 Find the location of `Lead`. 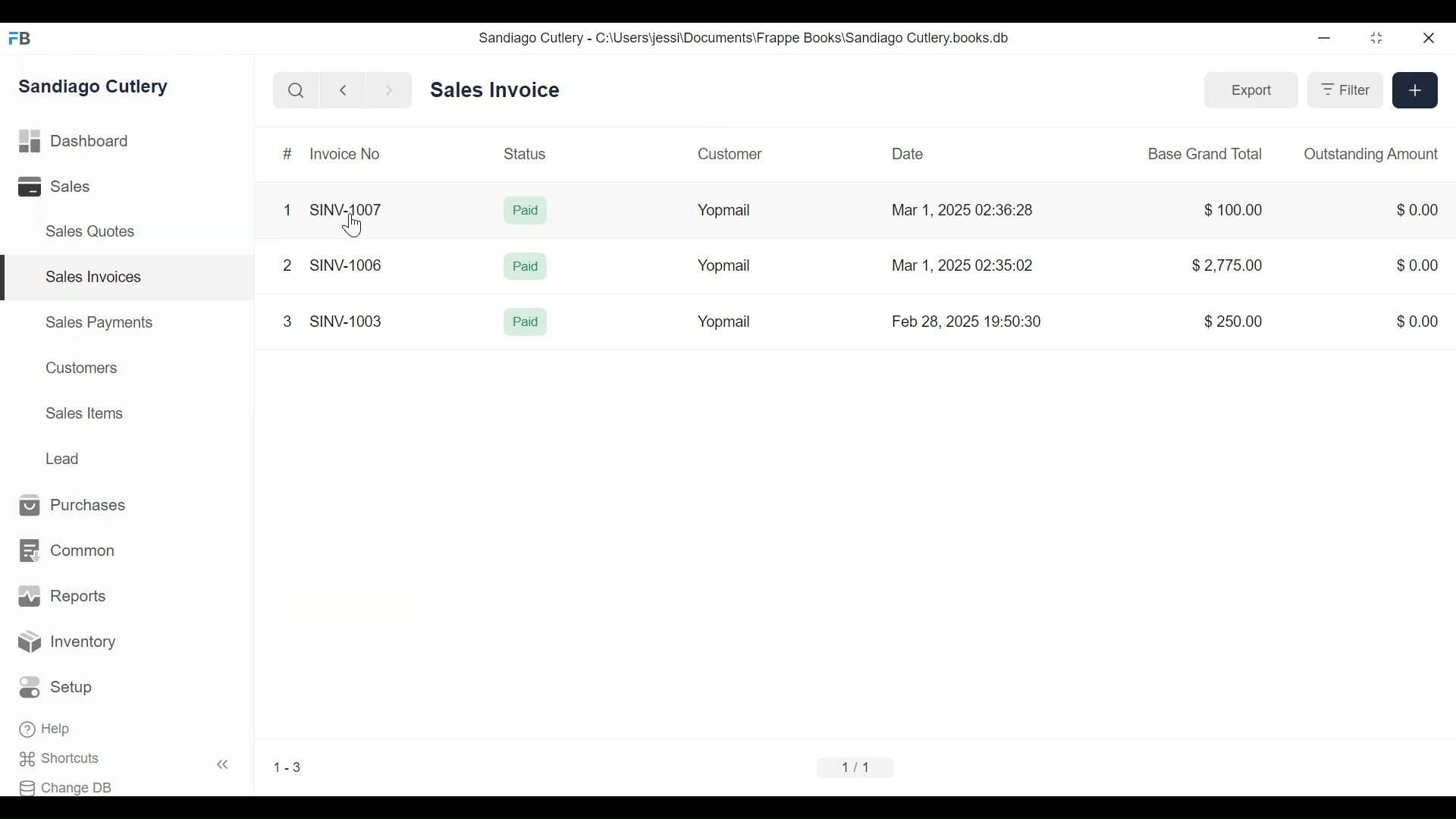

Lead is located at coordinates (64, 457).